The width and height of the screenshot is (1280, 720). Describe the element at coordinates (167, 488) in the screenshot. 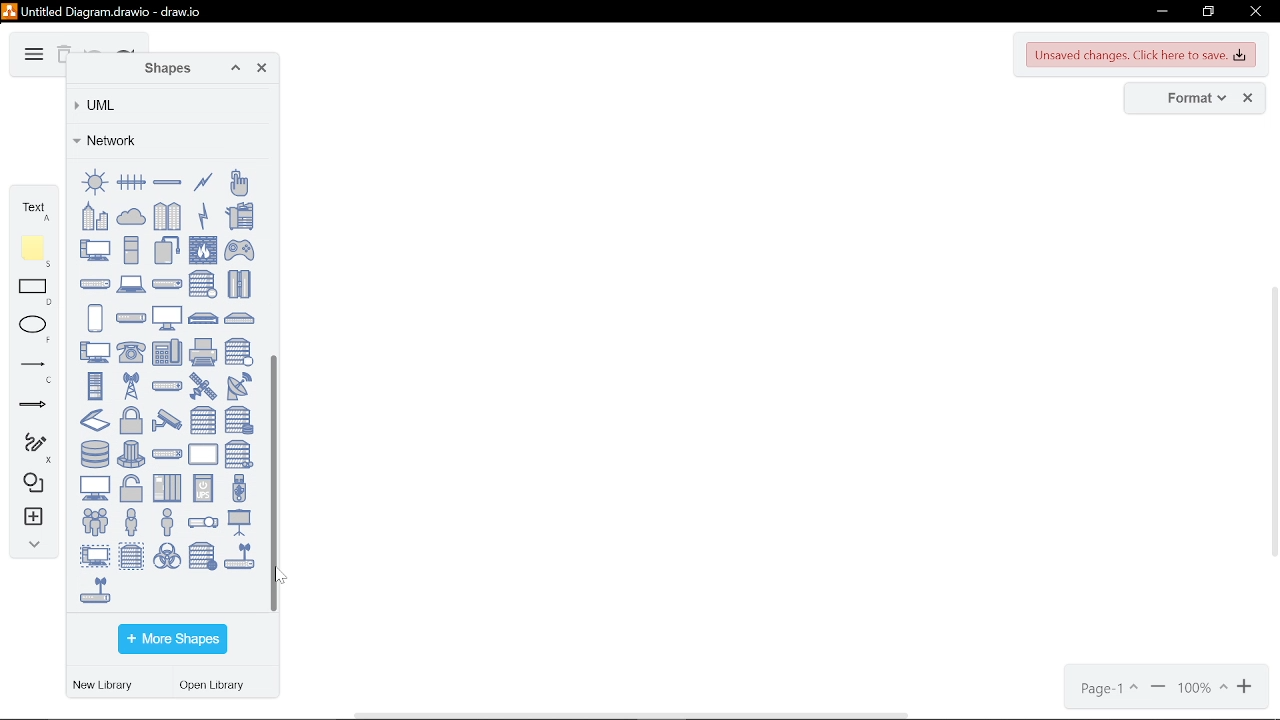

I see `UPS enterprise` at that location.